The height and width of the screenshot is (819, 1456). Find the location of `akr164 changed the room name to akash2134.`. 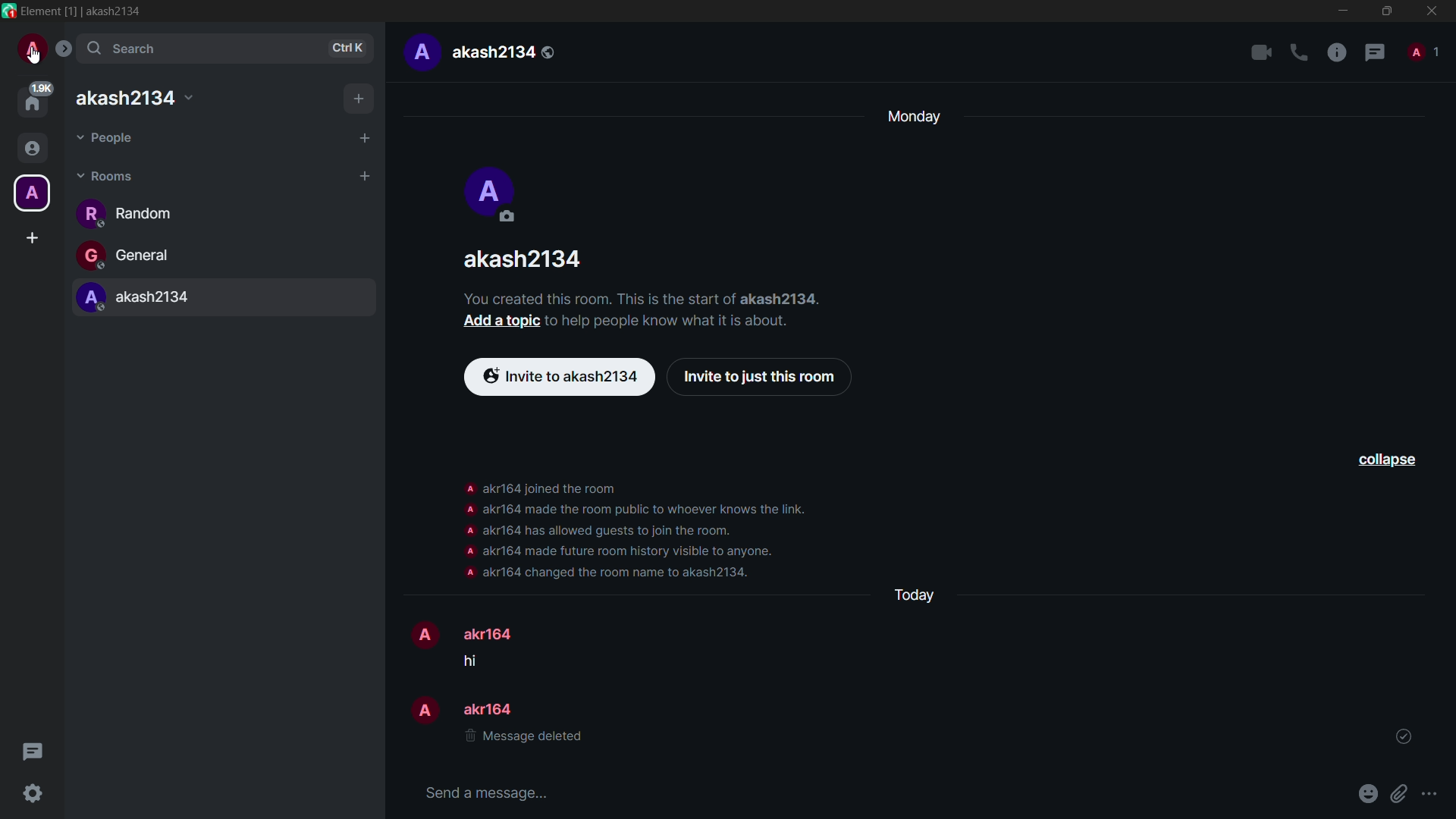

akr164 changed the room name to akash2134. is located at coordinates (617, 573).